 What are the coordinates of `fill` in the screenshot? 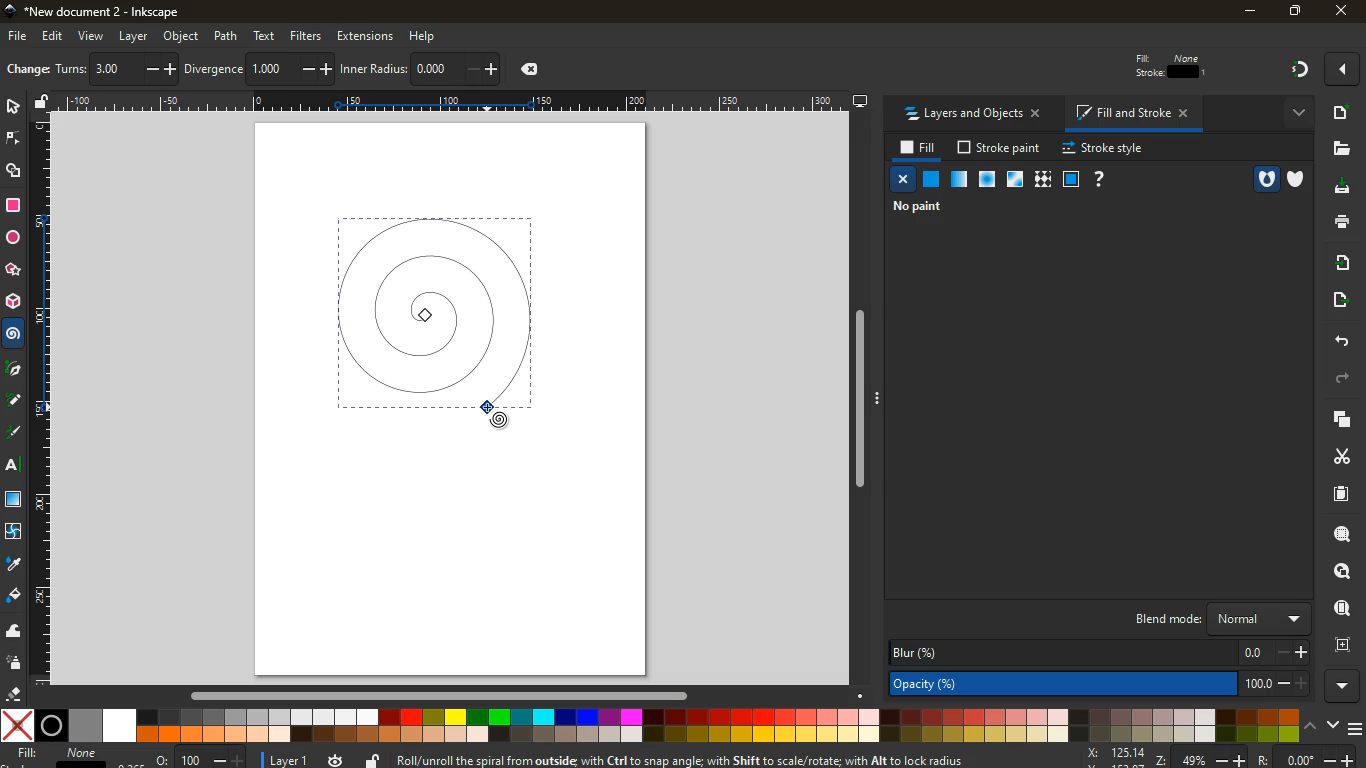 It's located at (919, 148).